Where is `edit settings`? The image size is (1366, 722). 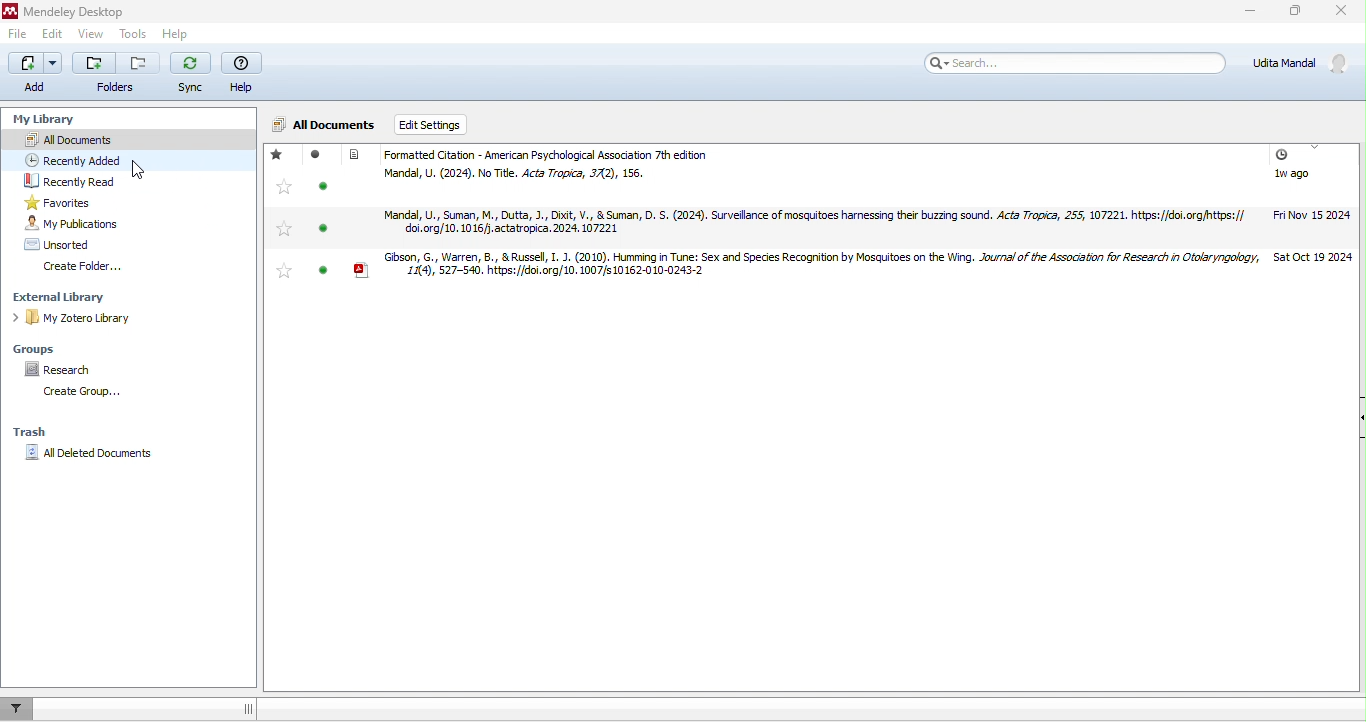 edit settings is located at coordinates (432, 125).